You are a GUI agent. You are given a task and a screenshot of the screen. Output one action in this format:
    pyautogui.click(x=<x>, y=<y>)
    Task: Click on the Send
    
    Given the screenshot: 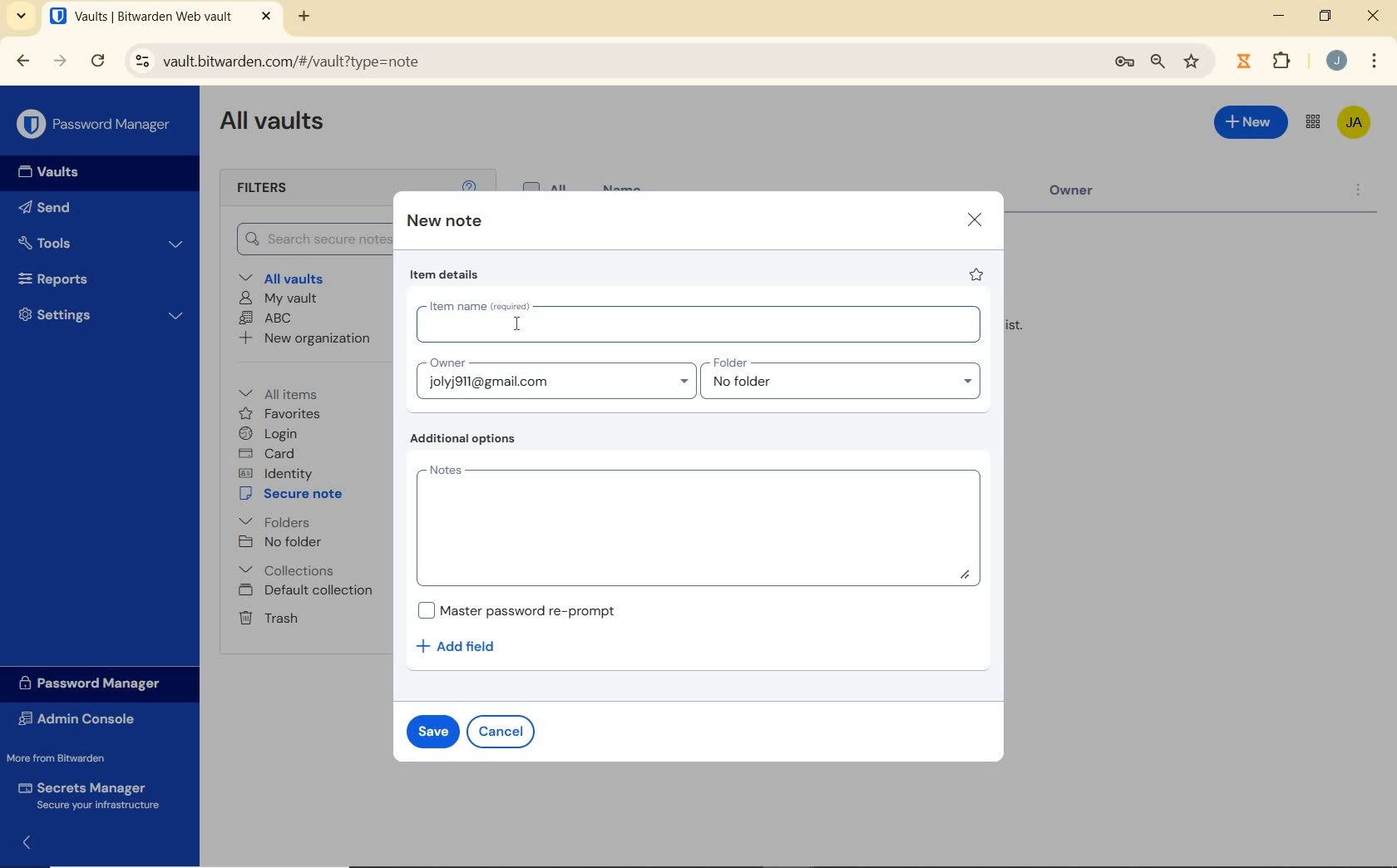 What is the action you would take?
    pyautogui.click(x=50, y=206)
    